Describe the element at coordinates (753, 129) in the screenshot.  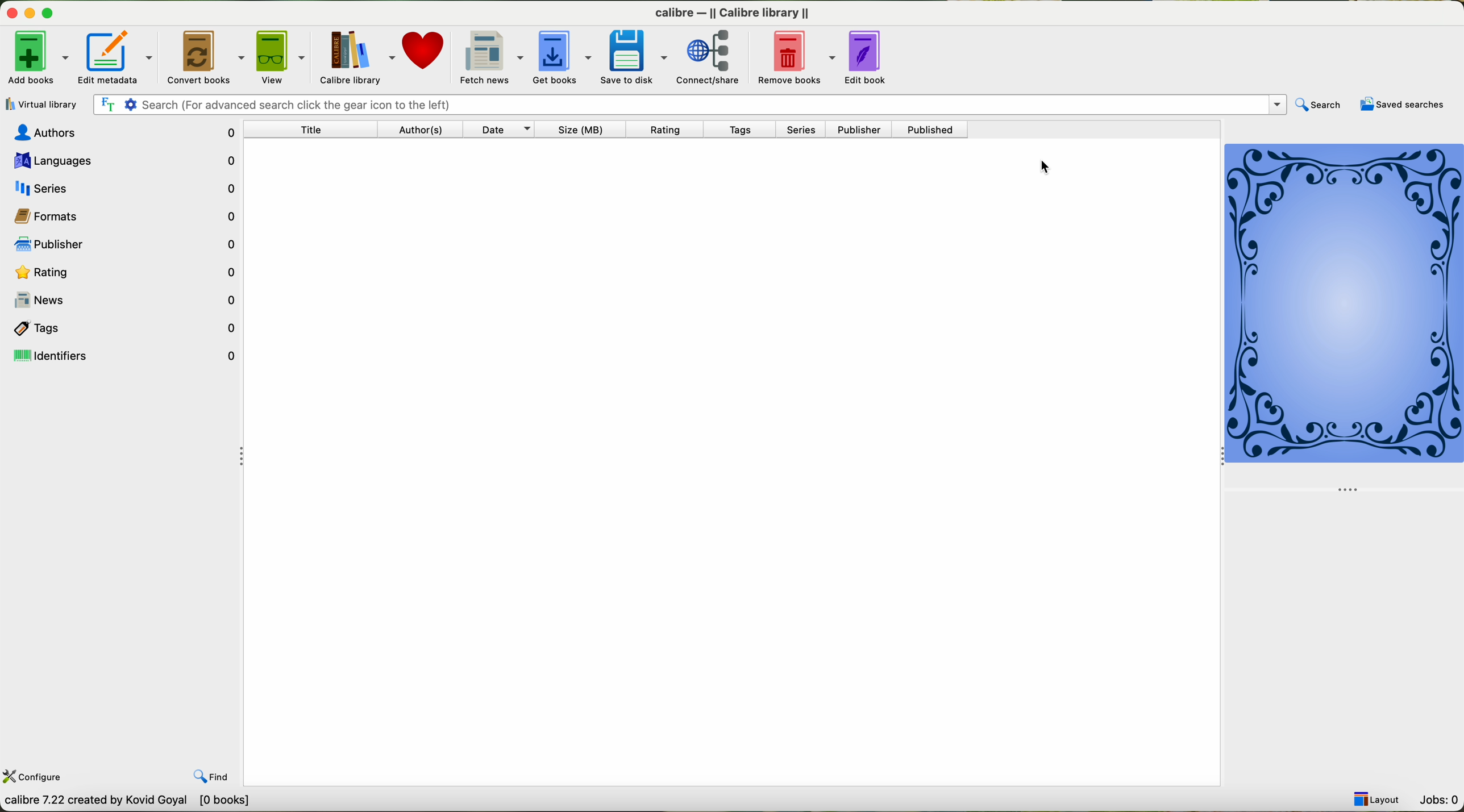
I see `tags` at that location.